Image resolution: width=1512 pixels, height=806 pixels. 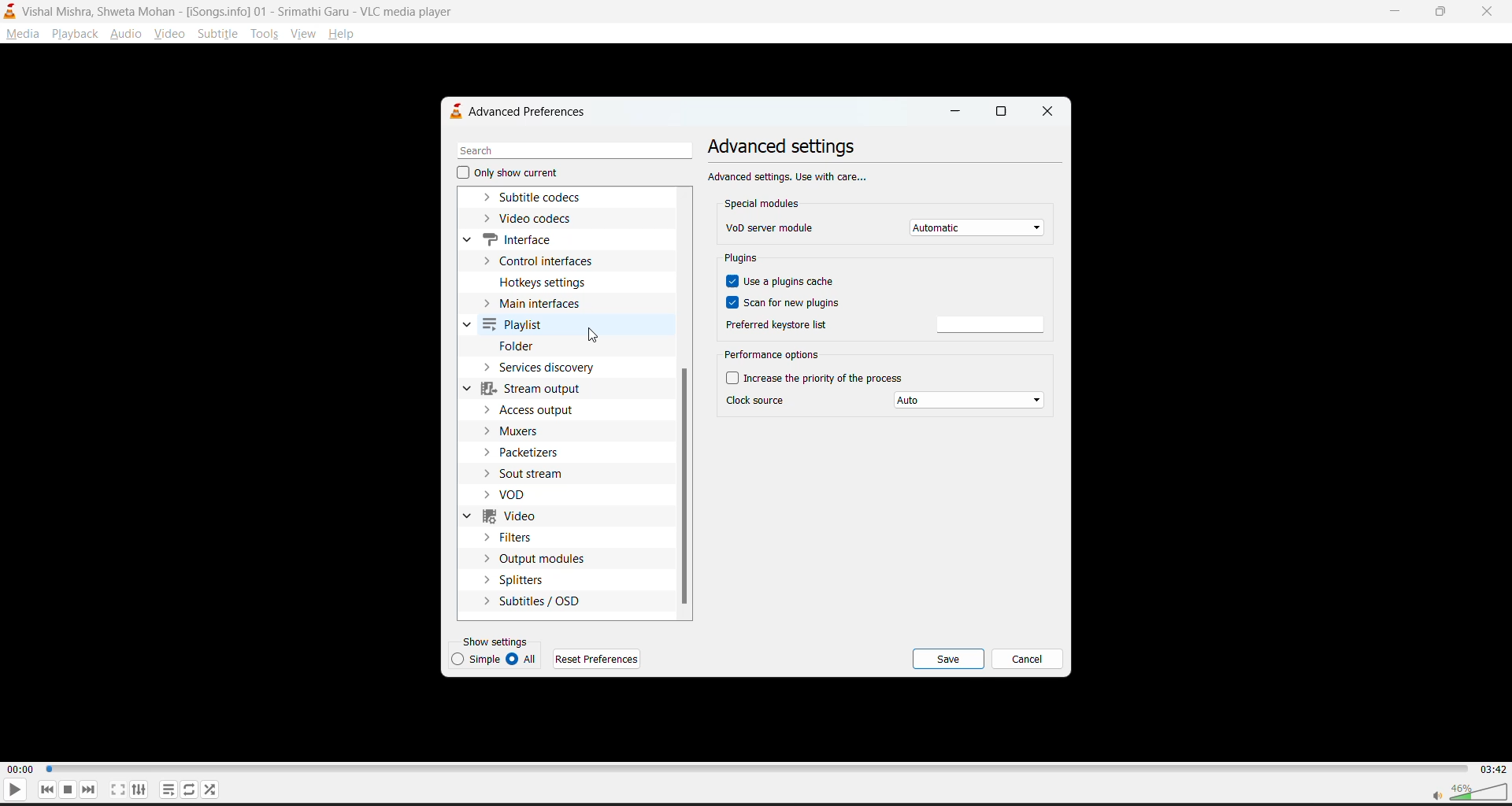 What do you see at coordinates (533, 390) in the screenshot?
I see `stream output` at bounding box center [533, 390].